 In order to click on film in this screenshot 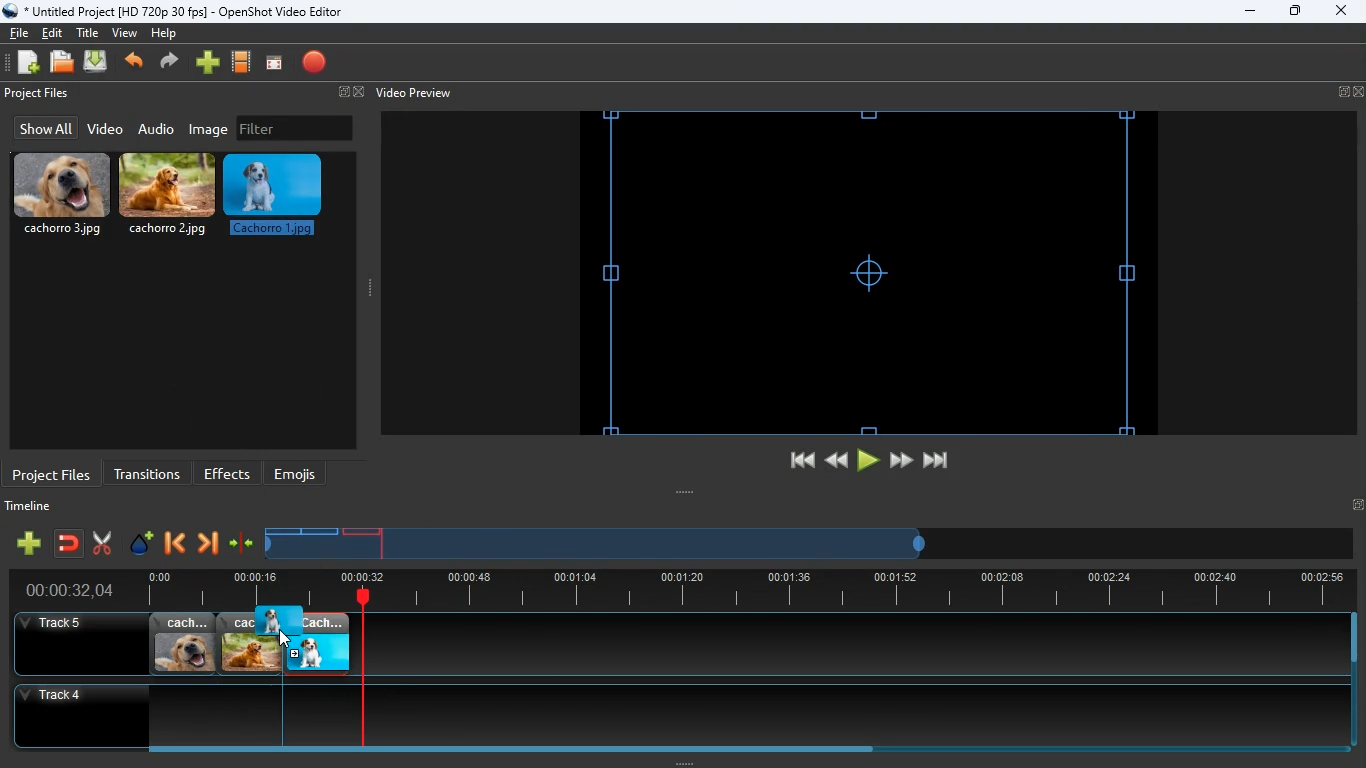, I will do `click(242, 63)`.